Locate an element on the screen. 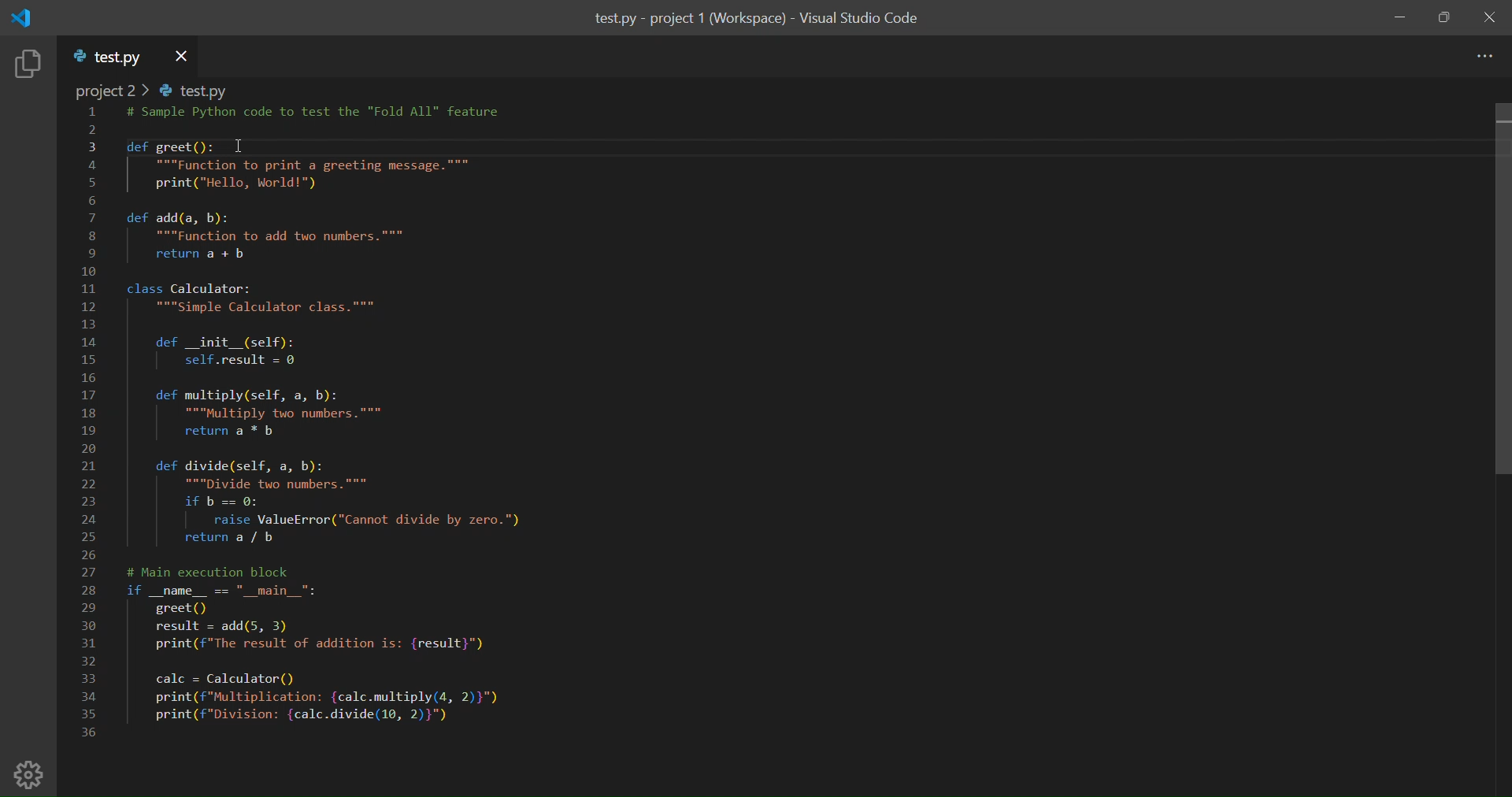  file name is located at coordinates (109, 57).